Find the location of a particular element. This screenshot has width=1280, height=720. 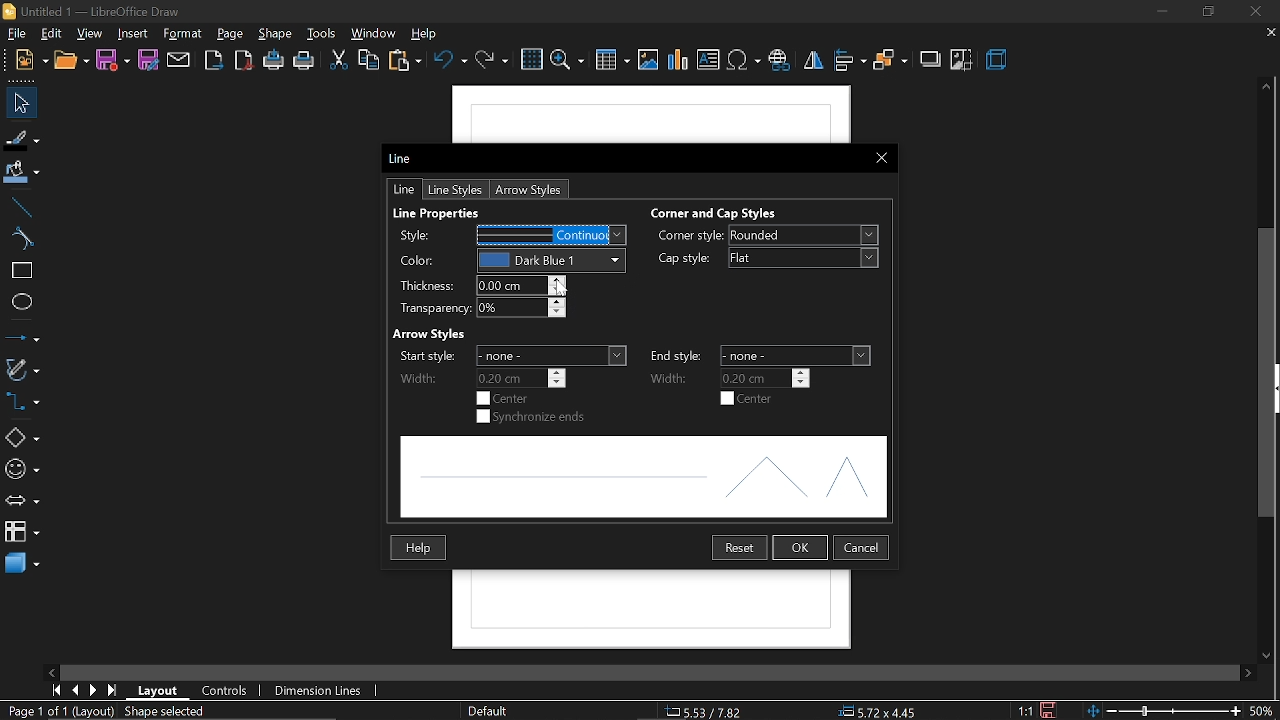

3d shapes is located at coordinates (22, 563).